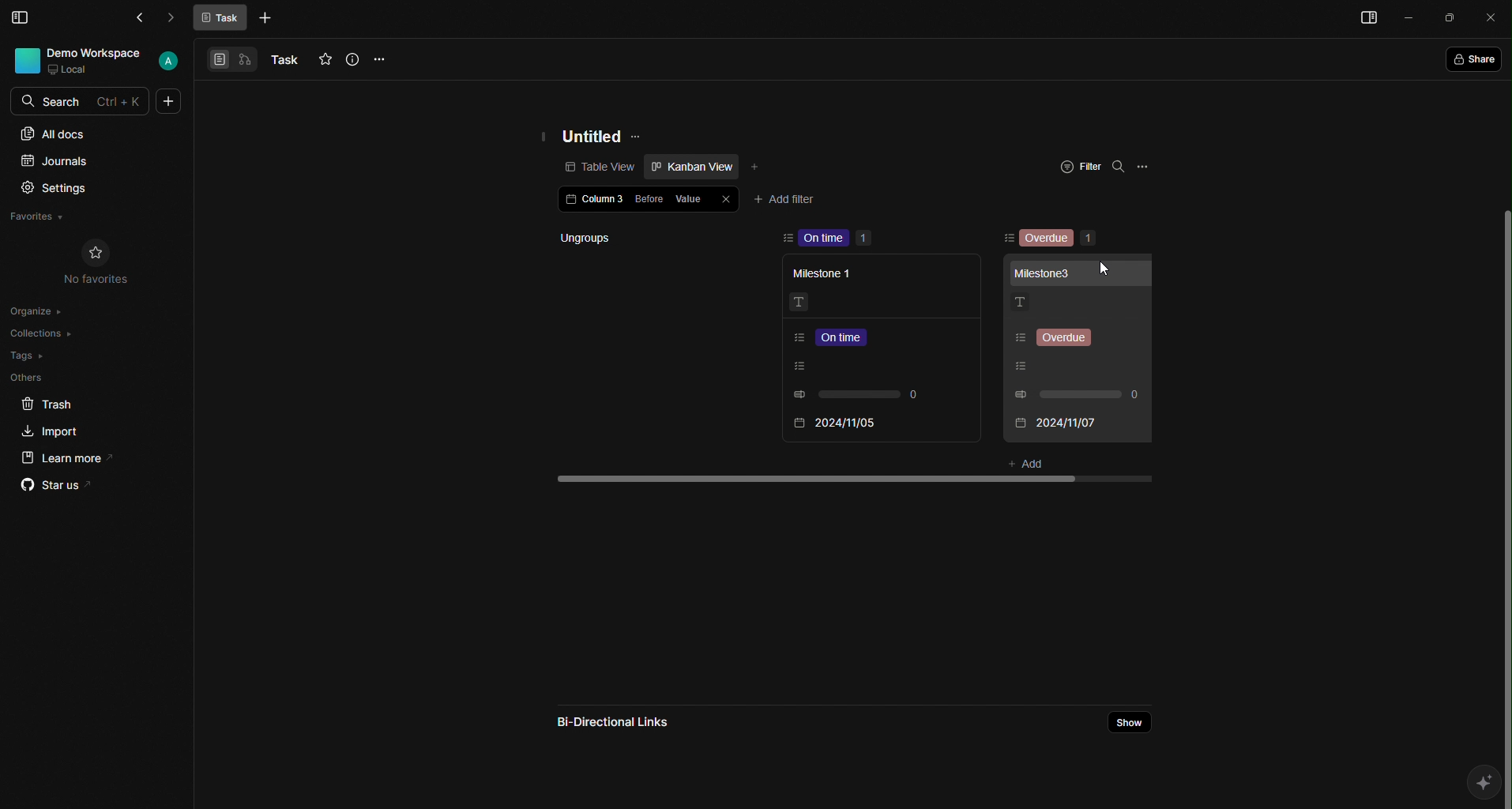 Image resolution: width=1512 pixels, height=809 pixels. Describe the element at coordinates (1125, 721) in the screenshot. I see `Share` at that location.